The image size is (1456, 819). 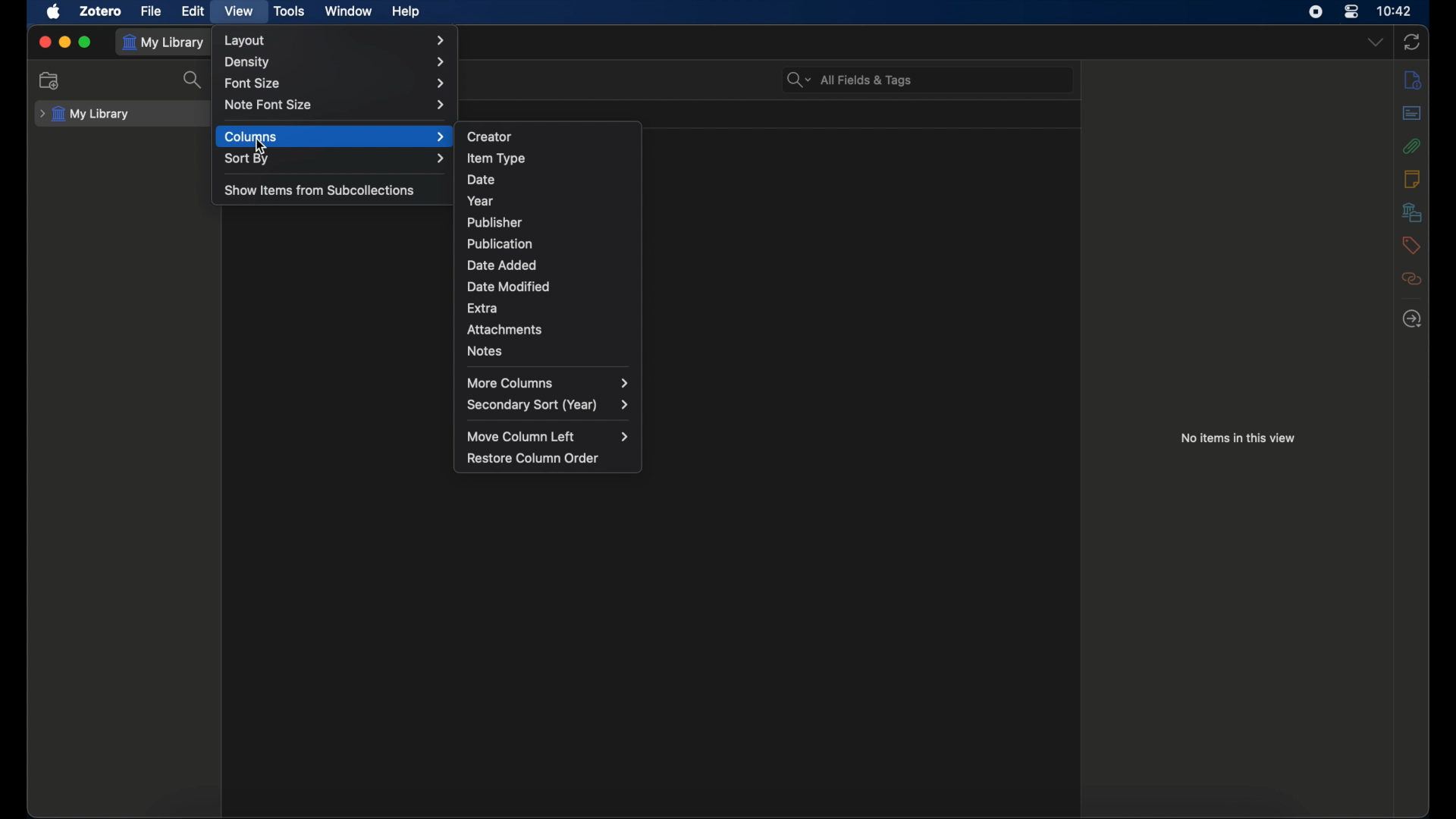 What do you see at coordinates (1412, 113) in the screenshot?
I see `abstract` at bounding box center [1412, 113].